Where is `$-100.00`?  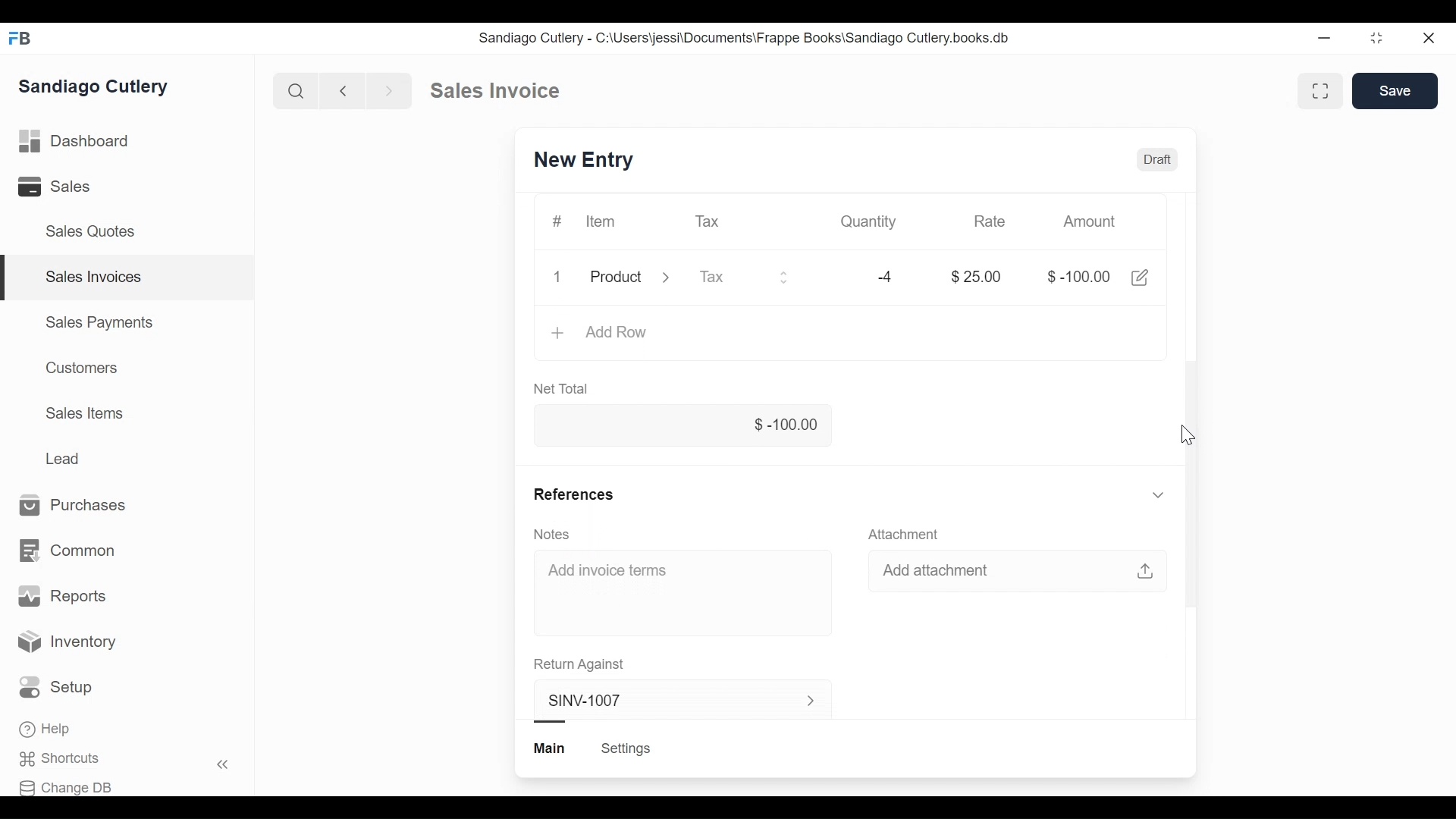 $-100.00 is located at coordinates (682, 426).